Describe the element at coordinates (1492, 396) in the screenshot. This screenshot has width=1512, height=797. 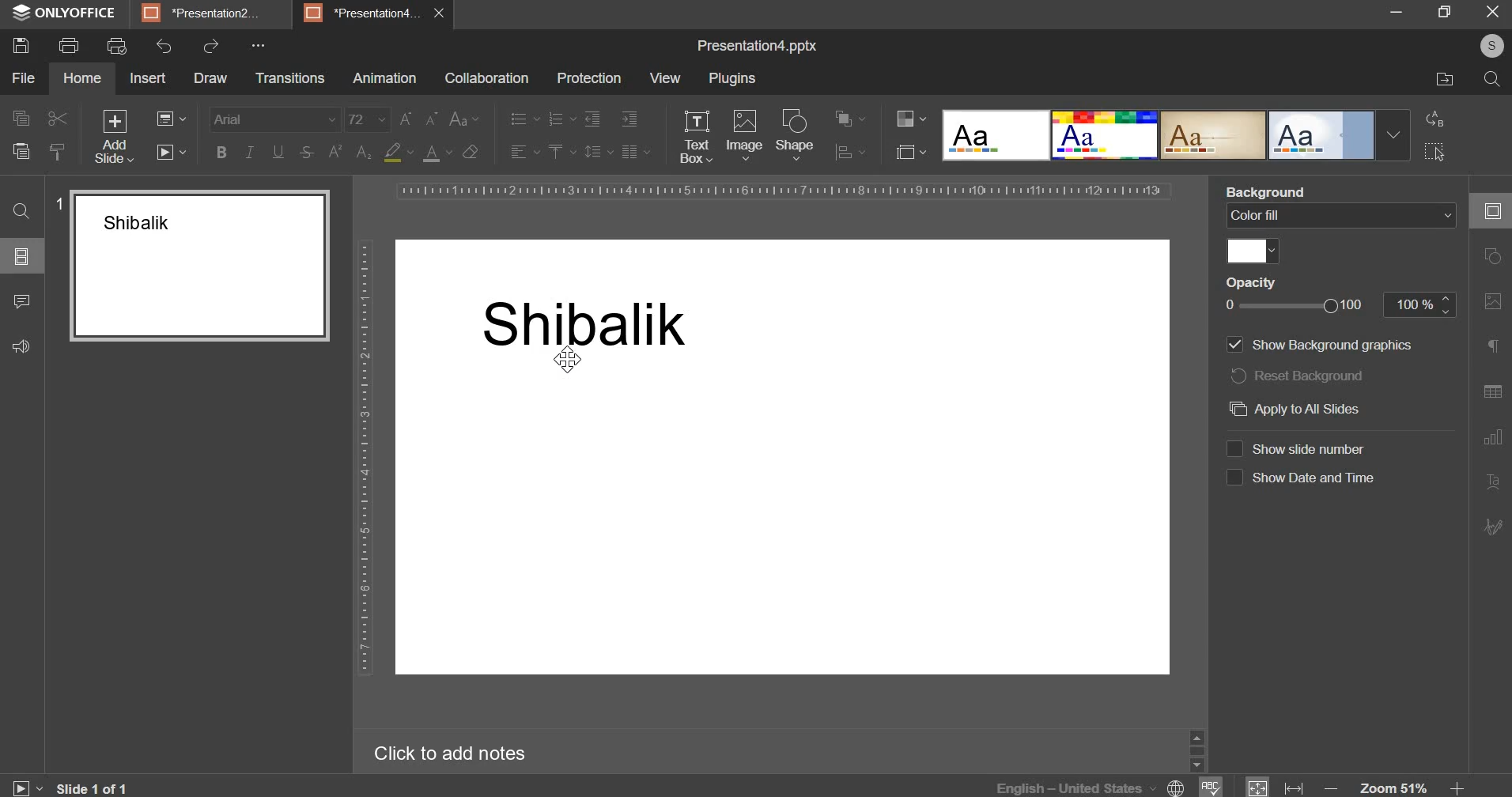
I see `table` at that location.